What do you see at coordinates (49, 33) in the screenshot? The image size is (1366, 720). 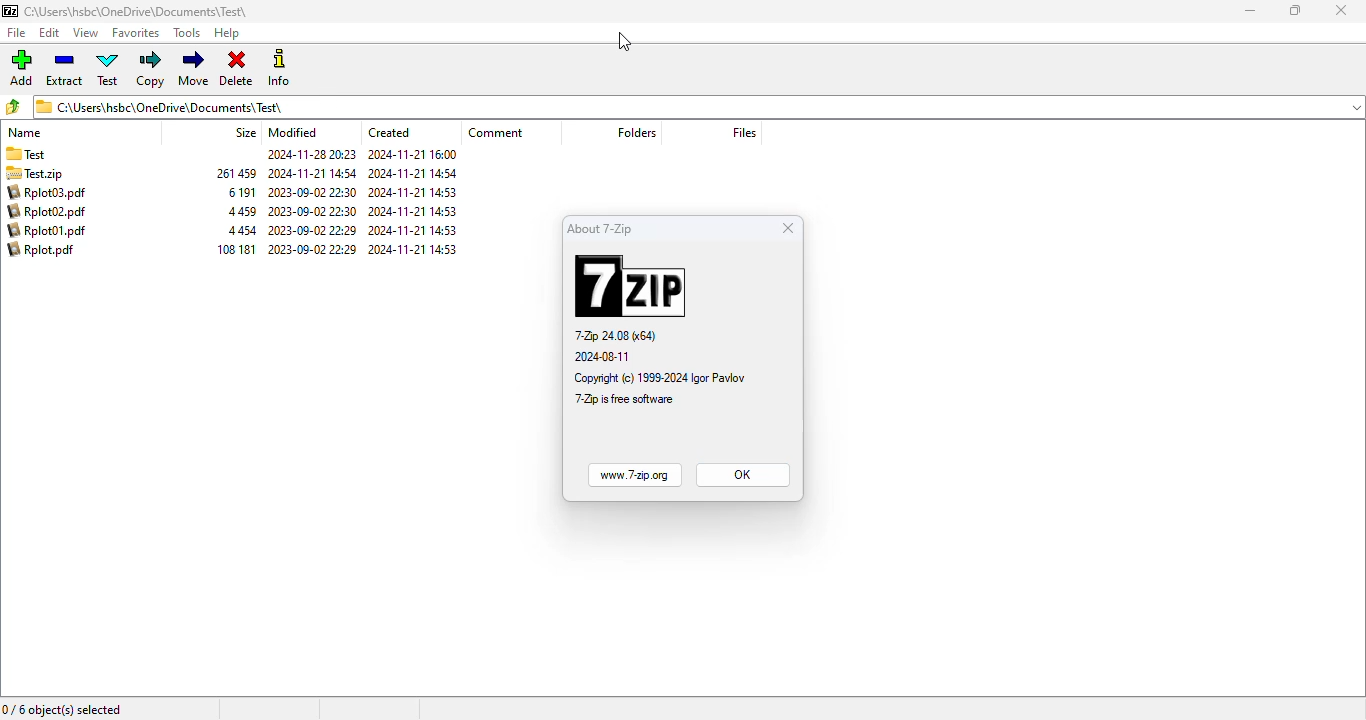 I see `edit` at bounding box center [49, 33].